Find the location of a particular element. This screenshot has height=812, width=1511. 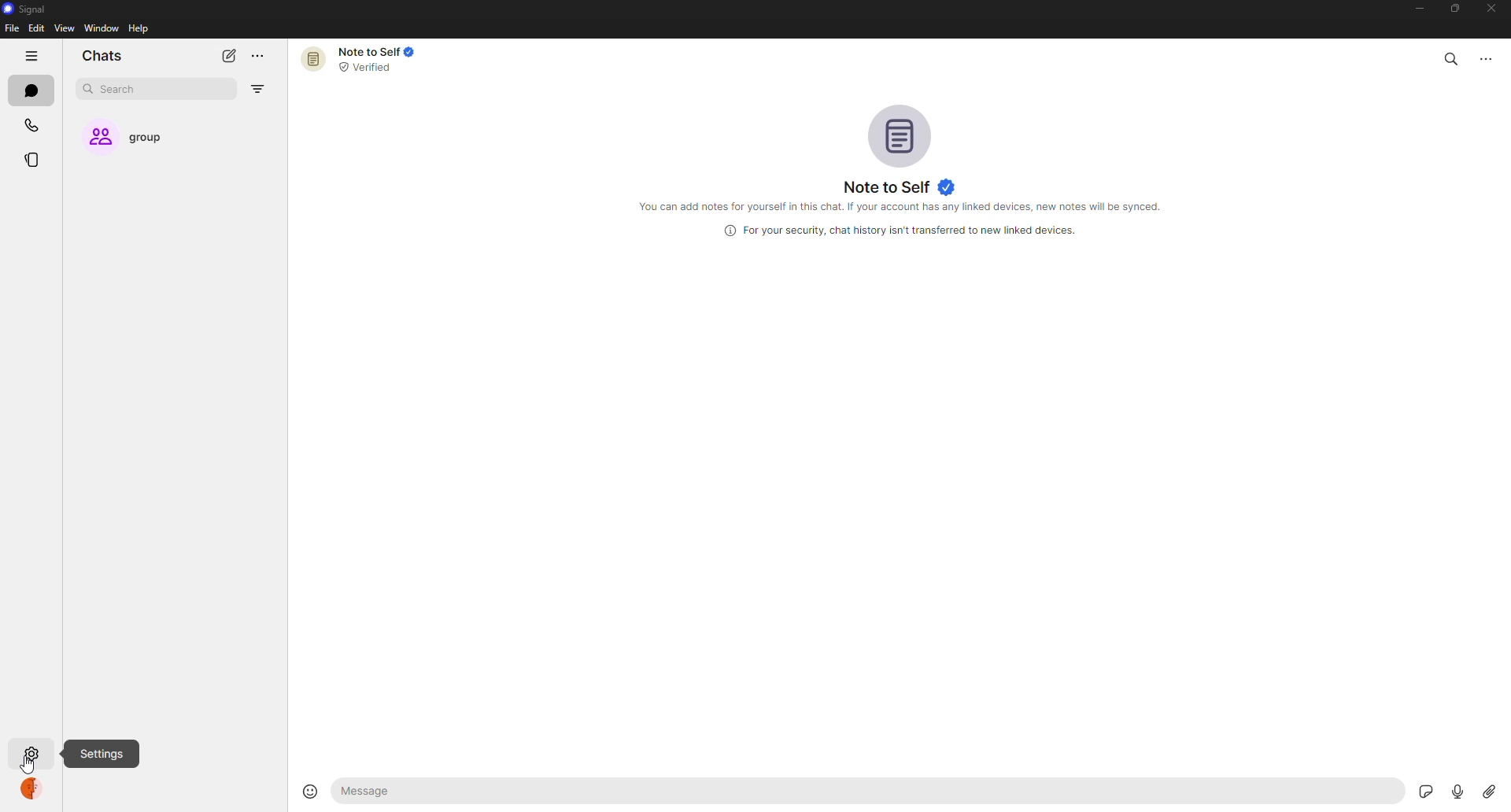

more is located at coordinates (1493, 56).